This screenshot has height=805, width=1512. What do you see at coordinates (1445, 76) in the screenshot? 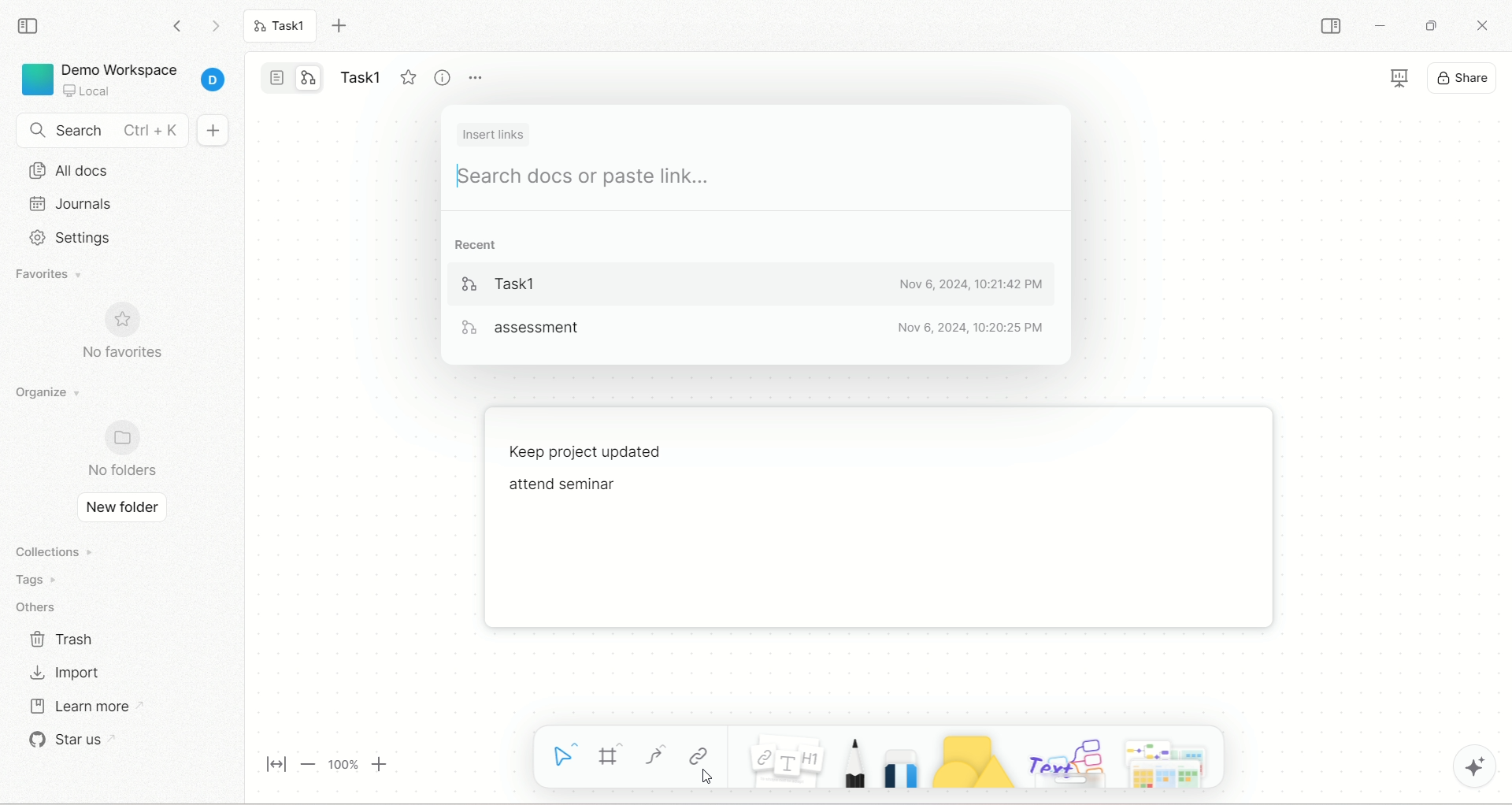
I see `display` at bounding box center [1445, 76].